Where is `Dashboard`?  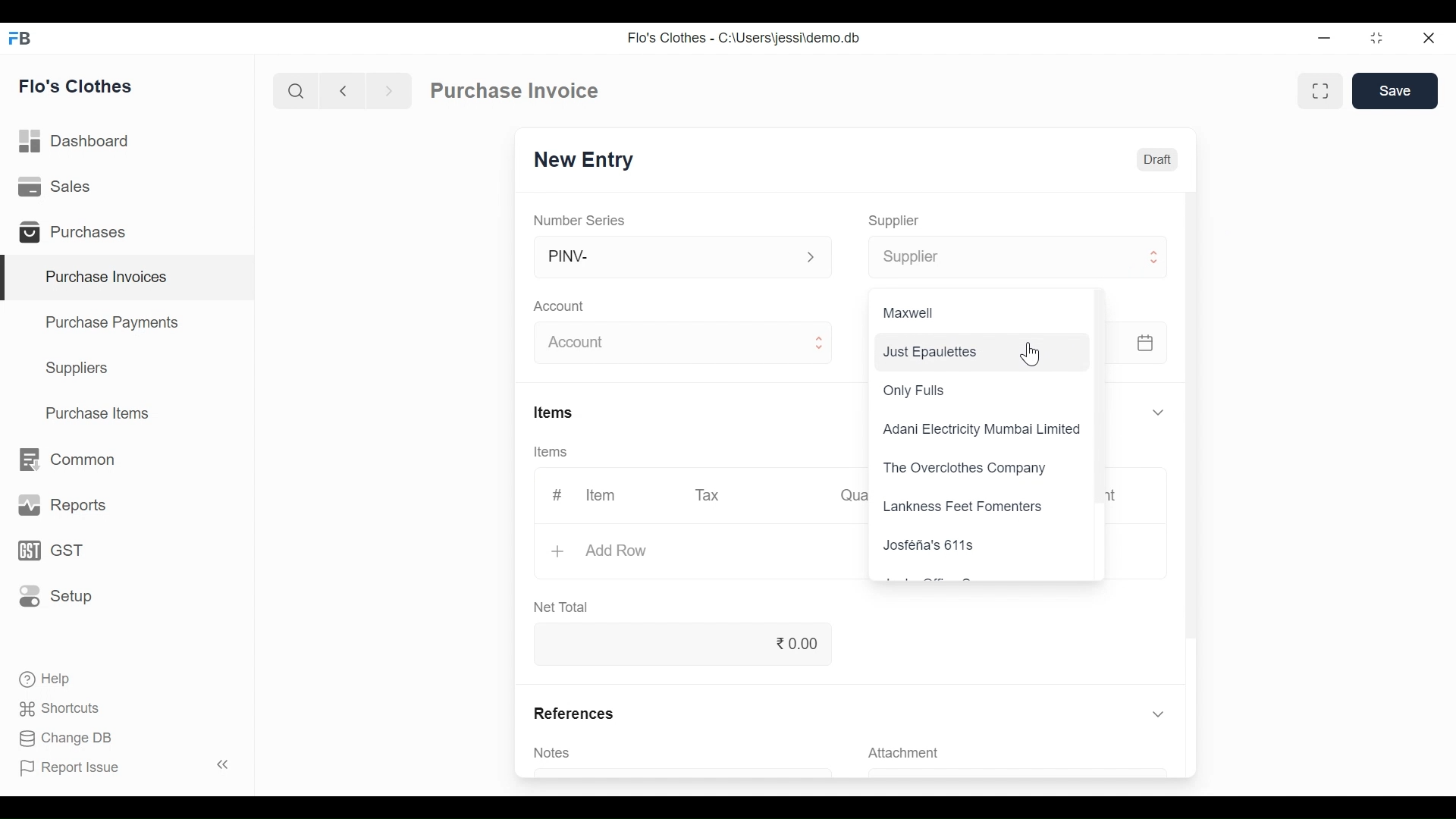 Dashboard is located at coordinates (82, 142).